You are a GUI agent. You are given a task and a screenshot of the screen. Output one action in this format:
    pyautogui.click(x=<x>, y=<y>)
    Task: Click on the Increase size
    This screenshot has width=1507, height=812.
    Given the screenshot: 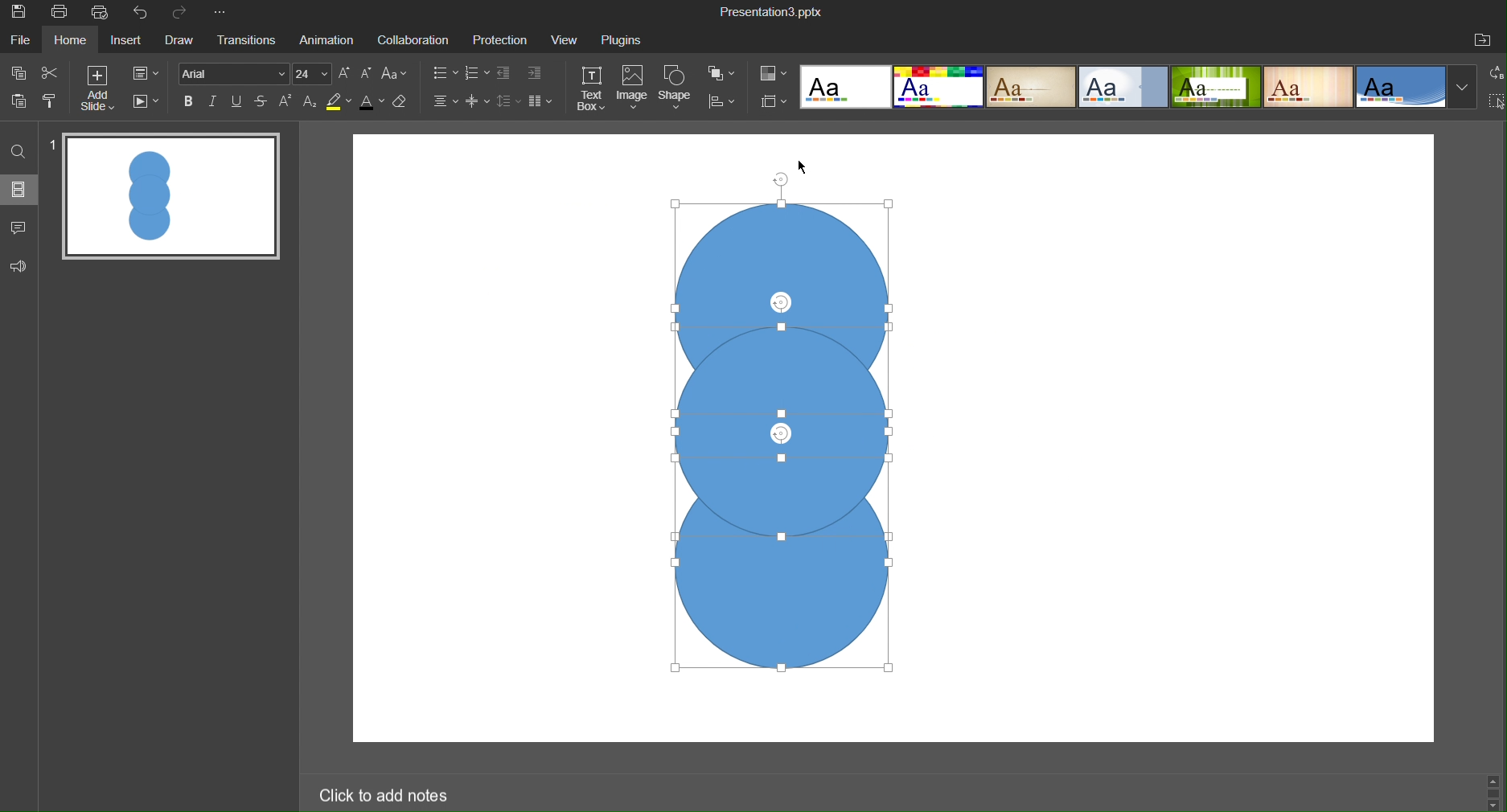 What is the action you would take?
    pyautogui.click(x=345, y=73)
    